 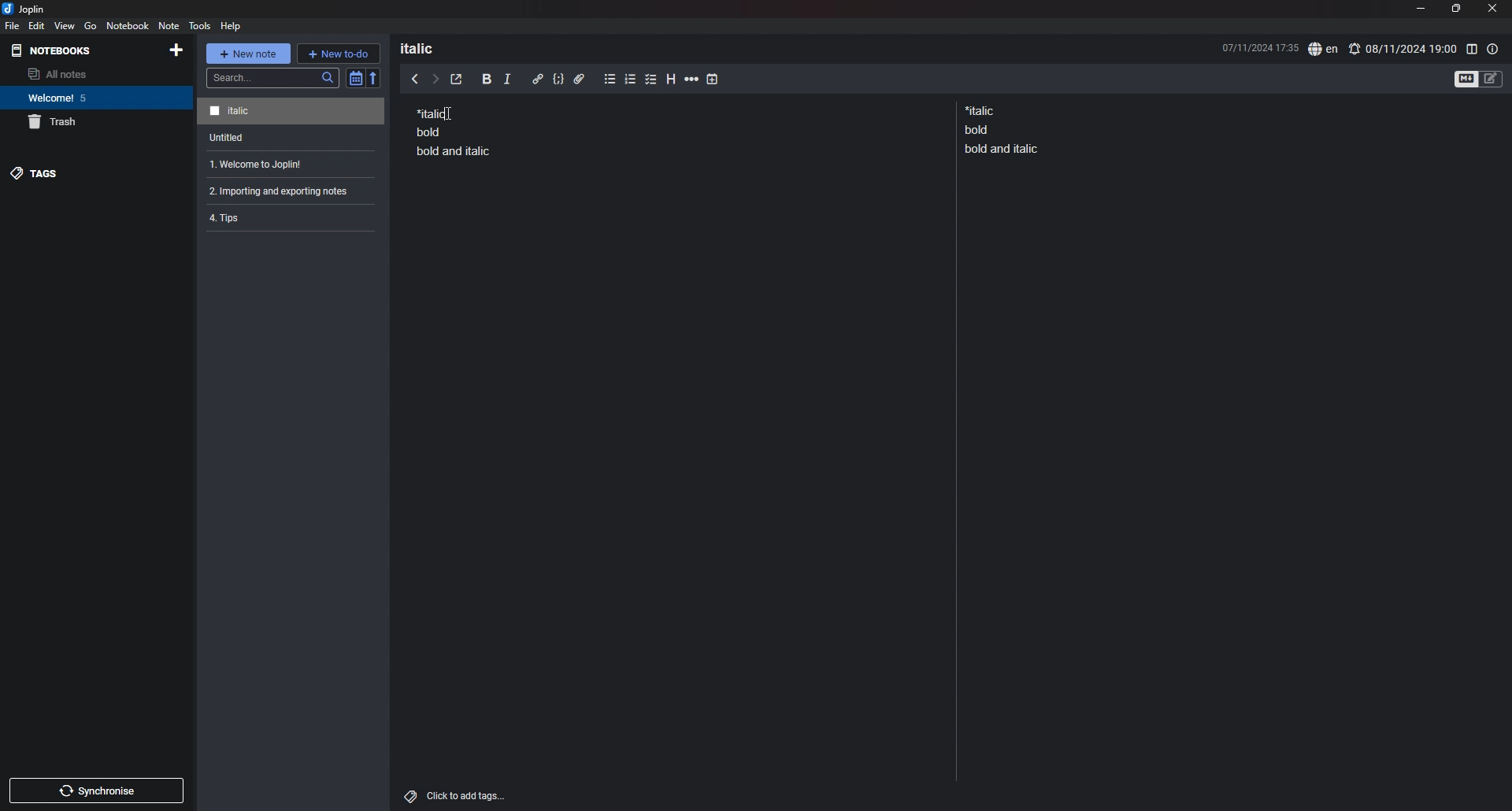 What do you see at coordinates (95, 173) in the screenshot?
I see `tags` at bounding box center [95, 173].